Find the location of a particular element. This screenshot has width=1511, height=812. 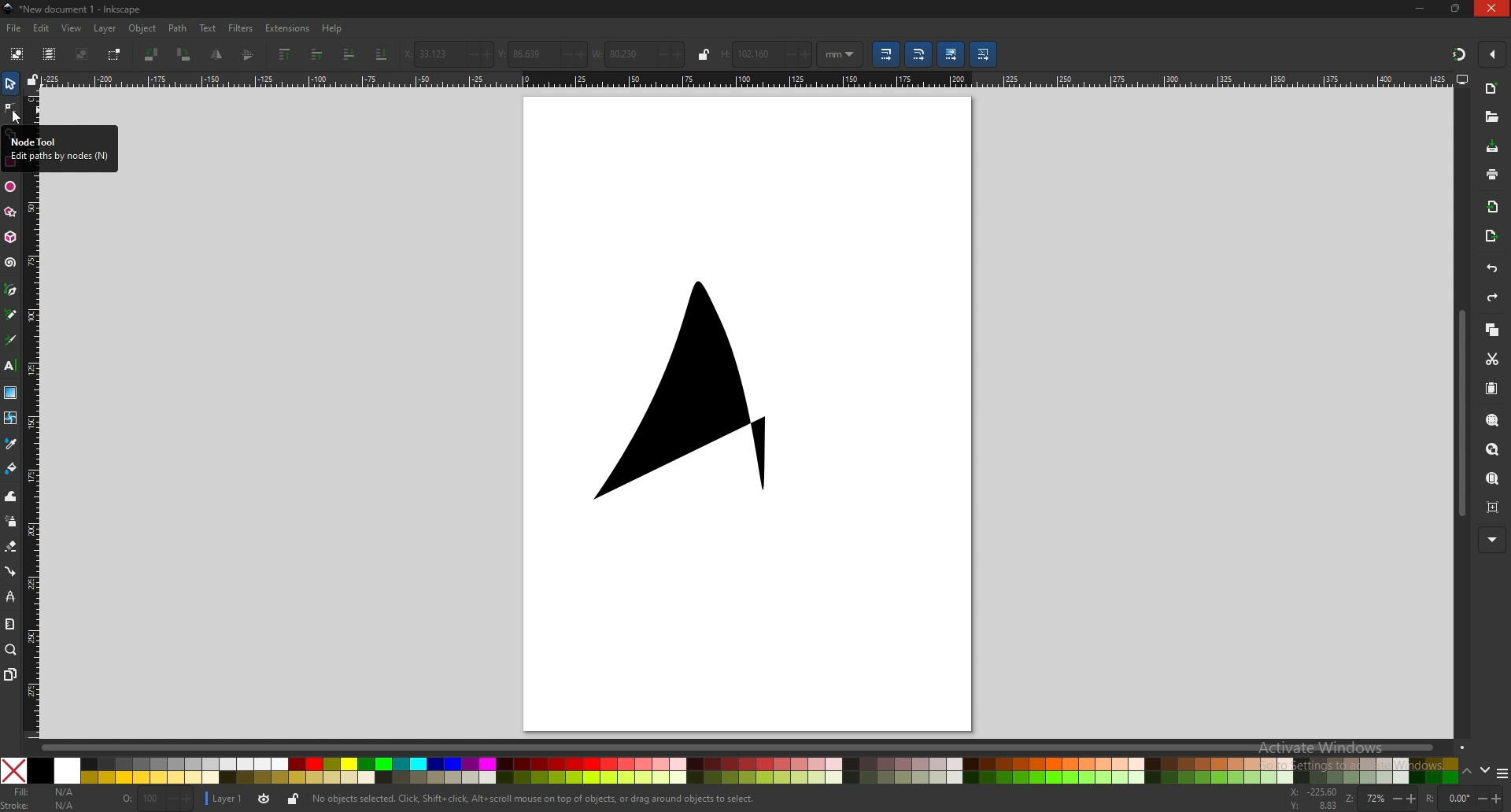

options is located at coordinates (1502, 773).